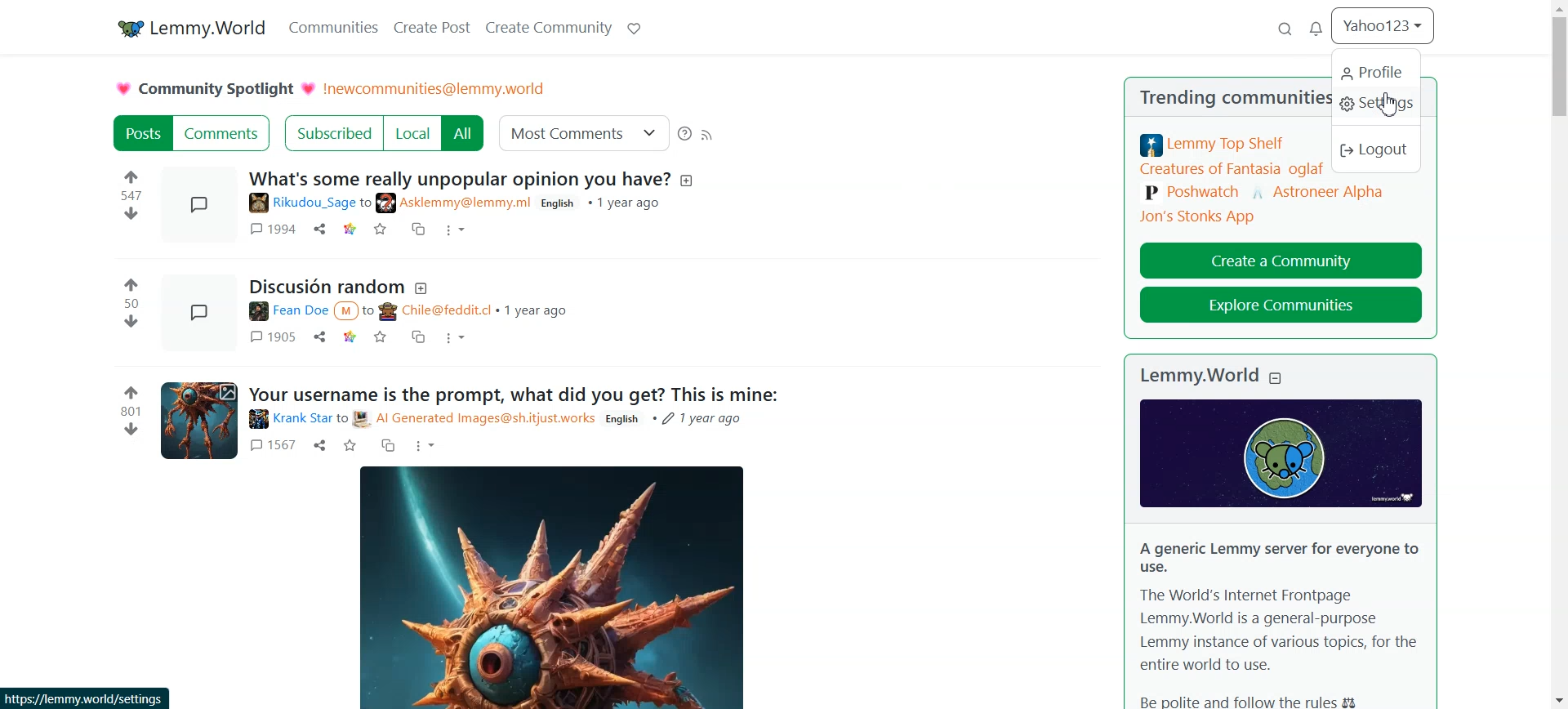  What do you see at coordinates (223, 133) in the screenshot?
I see `Comments` at bounding box center [223, 133].